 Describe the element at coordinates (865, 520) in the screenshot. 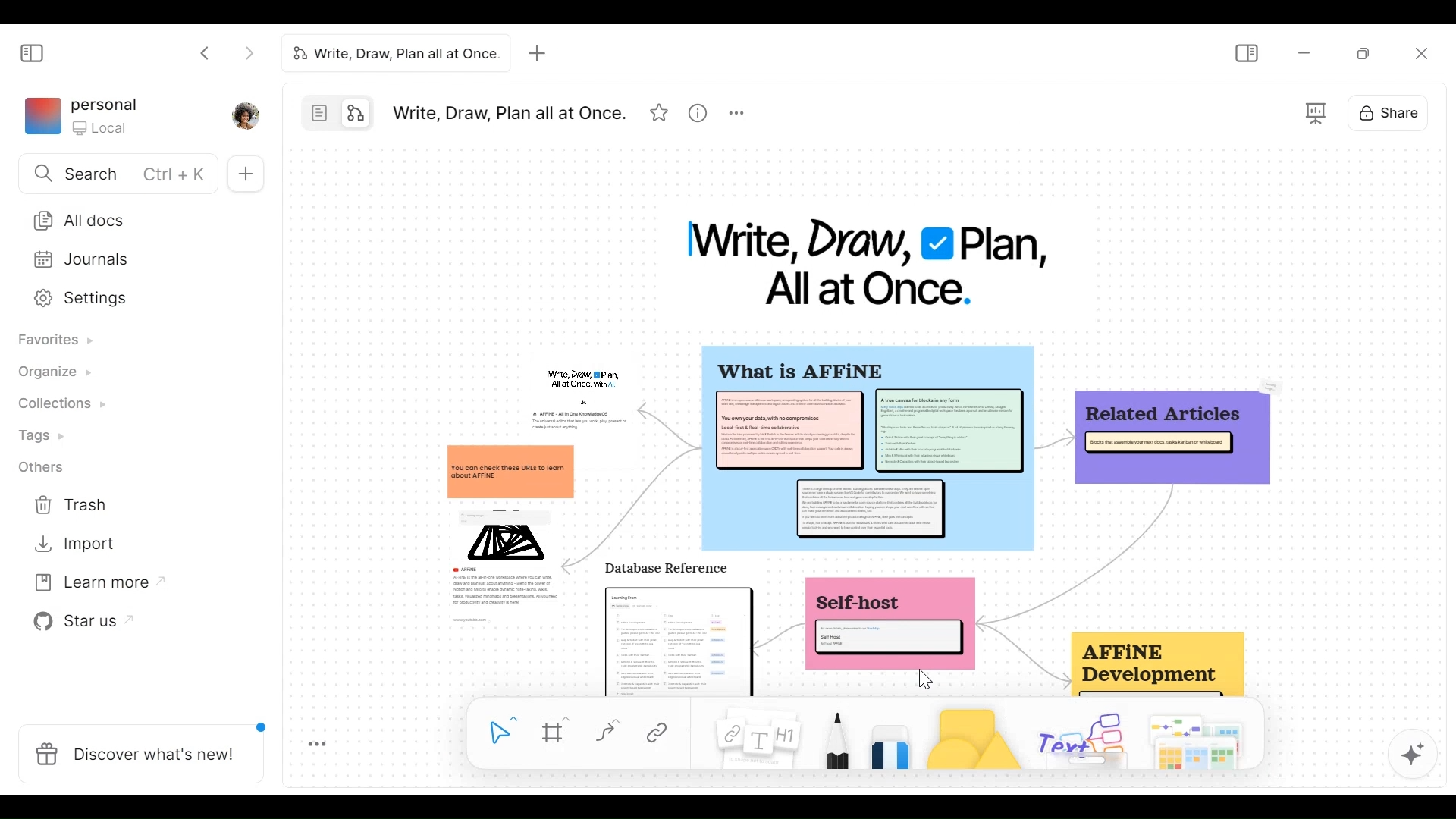

I see `information` at that location.